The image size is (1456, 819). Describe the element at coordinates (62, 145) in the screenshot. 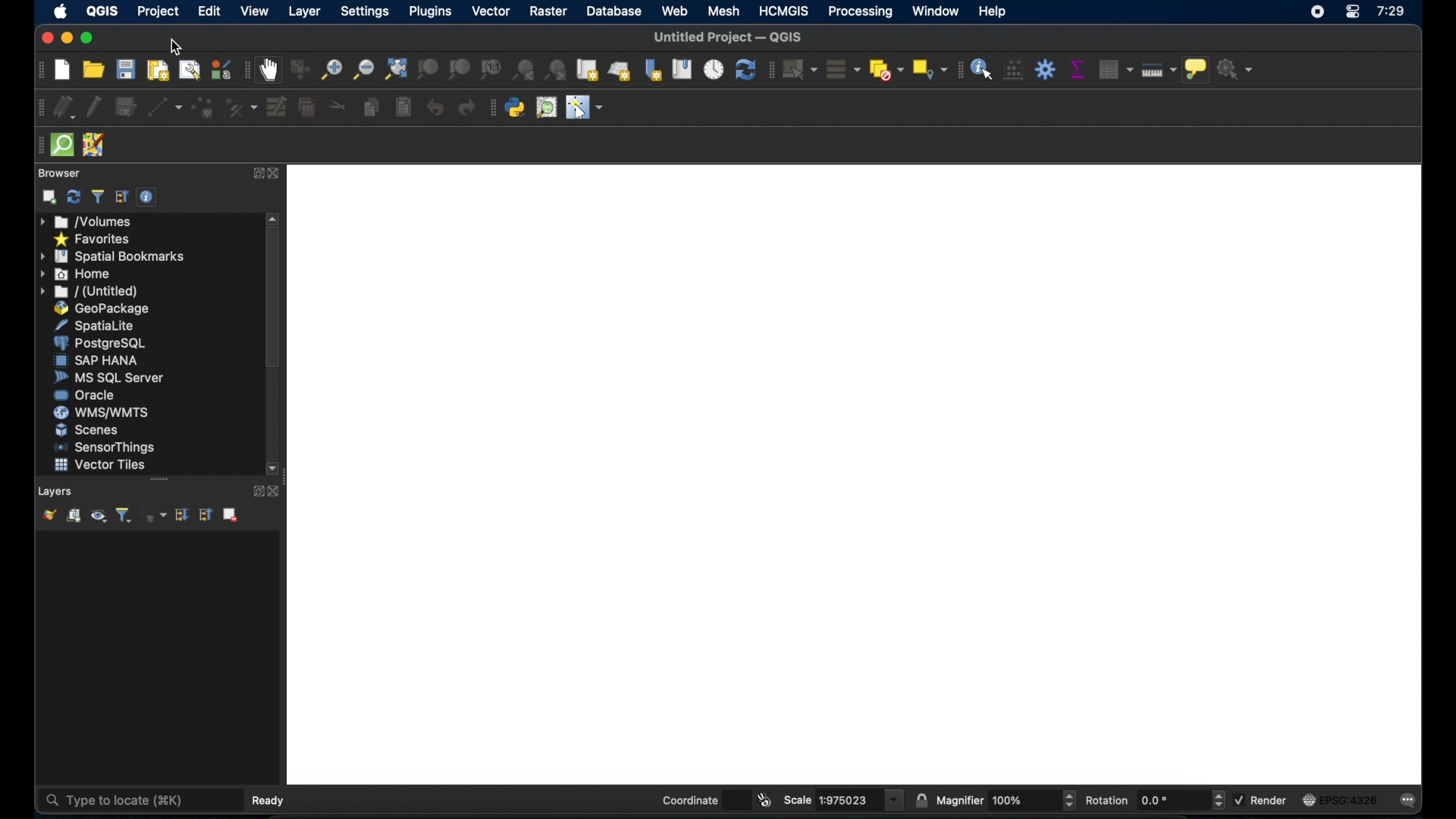

I see `quick som` at that location.